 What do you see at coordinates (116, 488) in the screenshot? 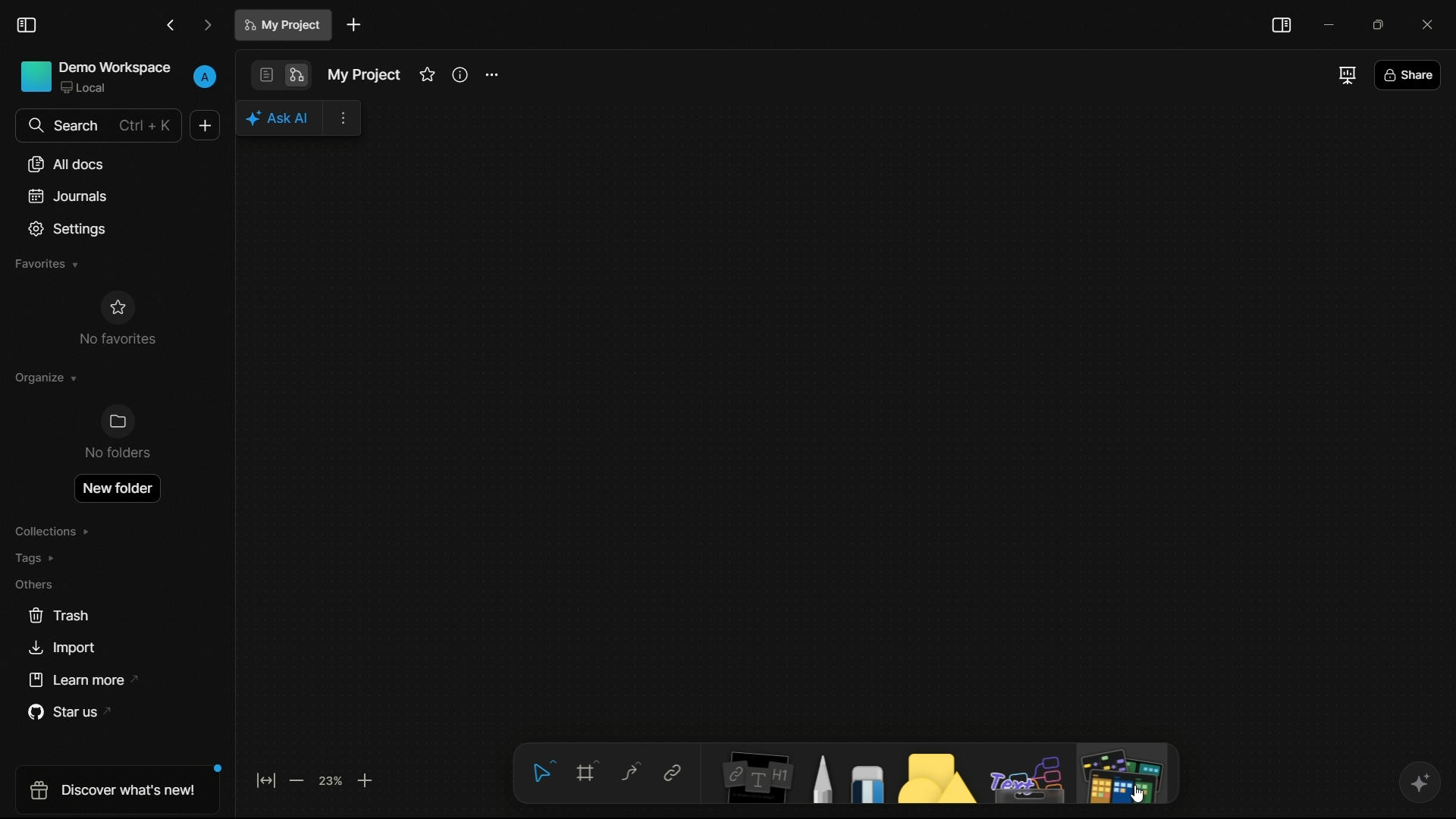
I see `new folder` at bounding box center [116, 488].